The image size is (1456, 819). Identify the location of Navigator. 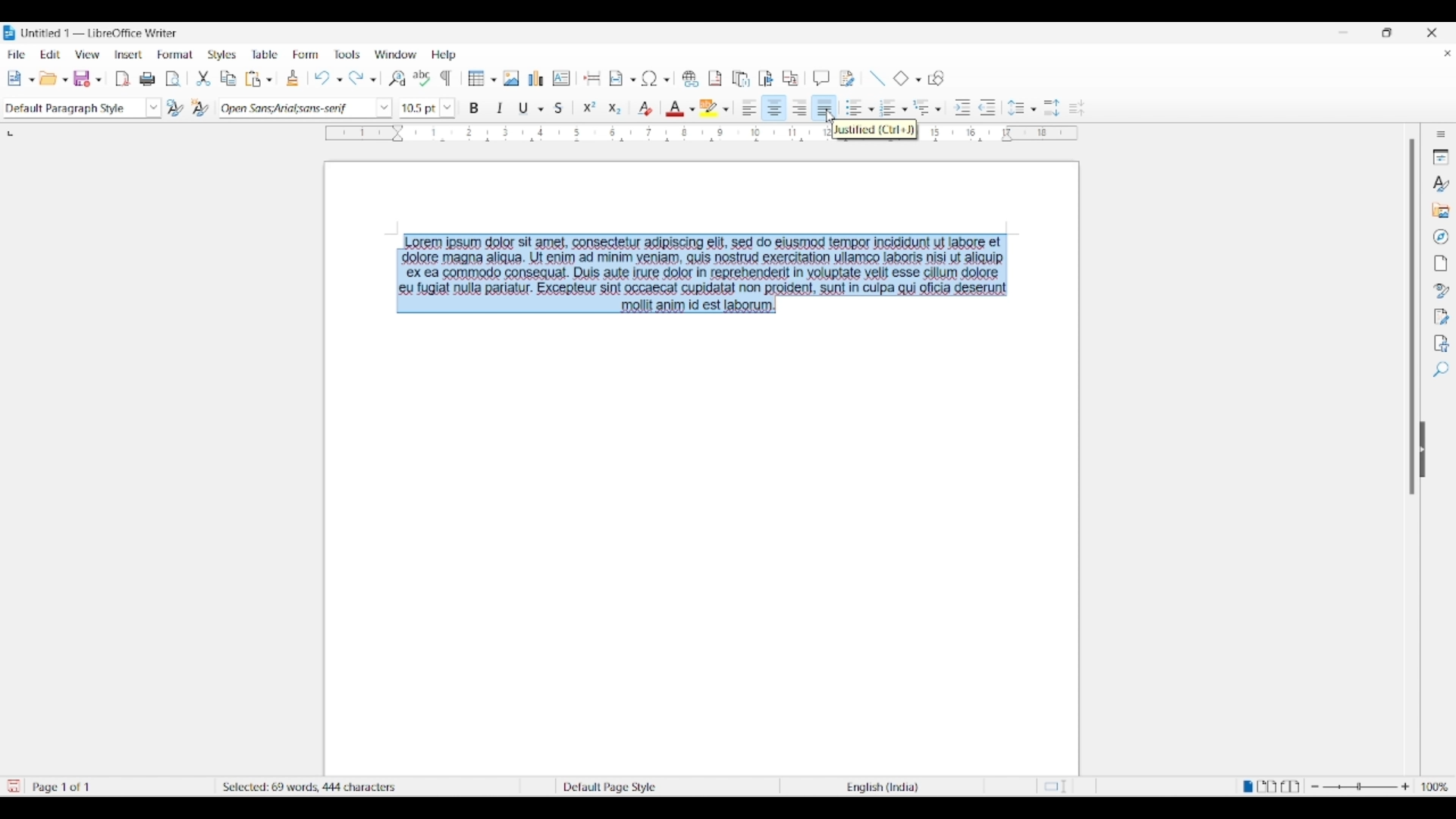
(1441, 237).